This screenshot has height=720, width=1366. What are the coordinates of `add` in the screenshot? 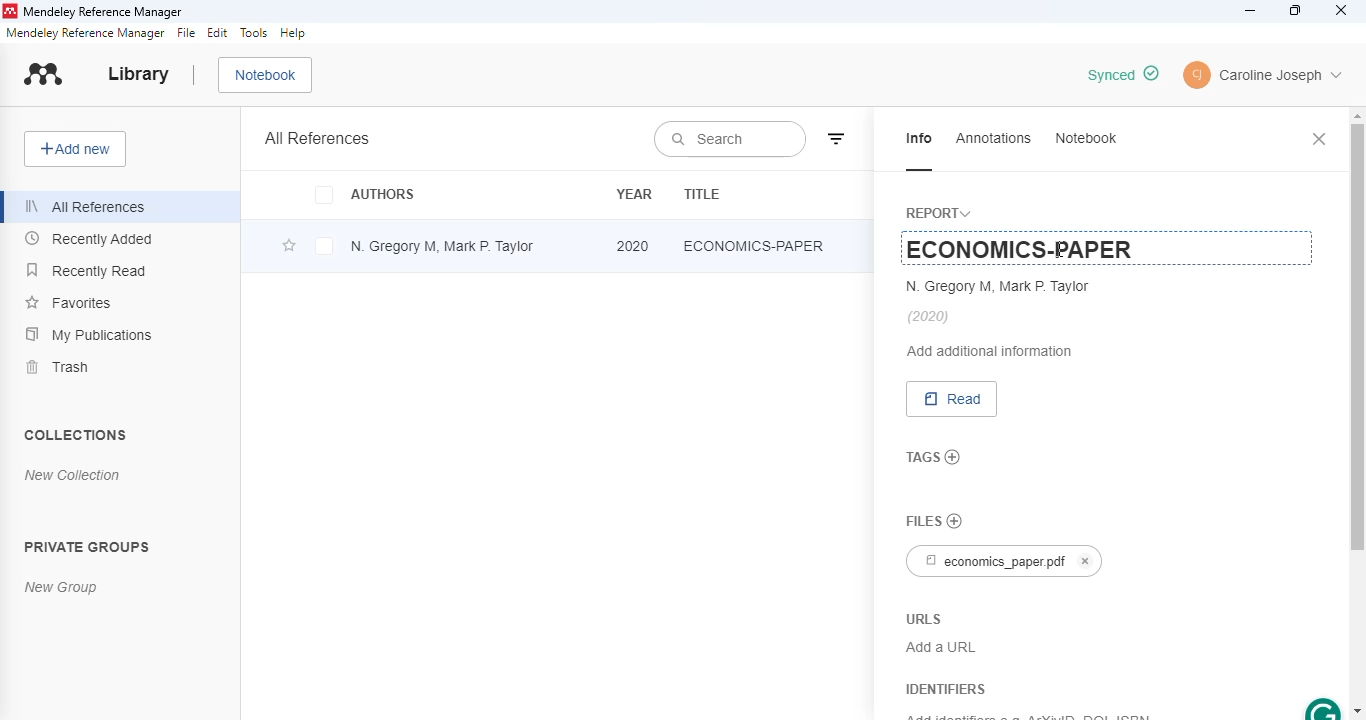 It's located at (954, 458).